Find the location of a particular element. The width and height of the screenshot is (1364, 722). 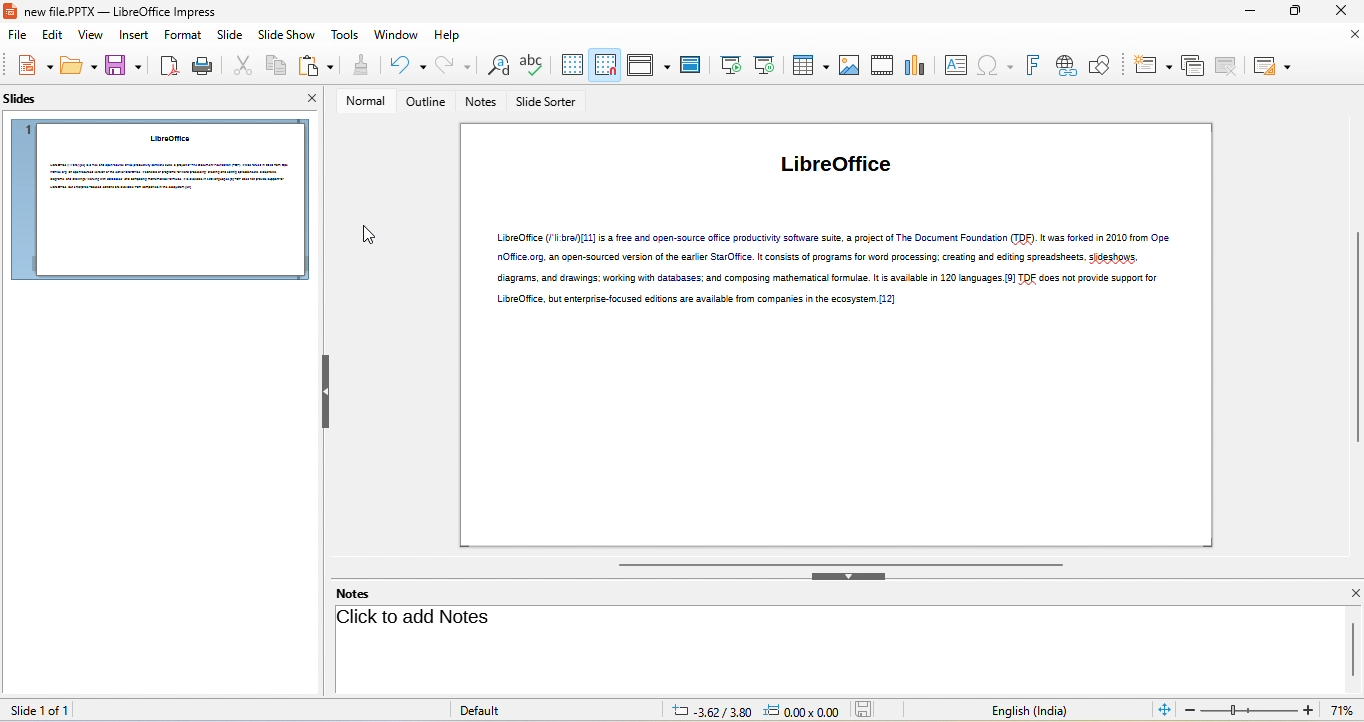

the document has not been modified since the last save is located at coordinates (871, 710).